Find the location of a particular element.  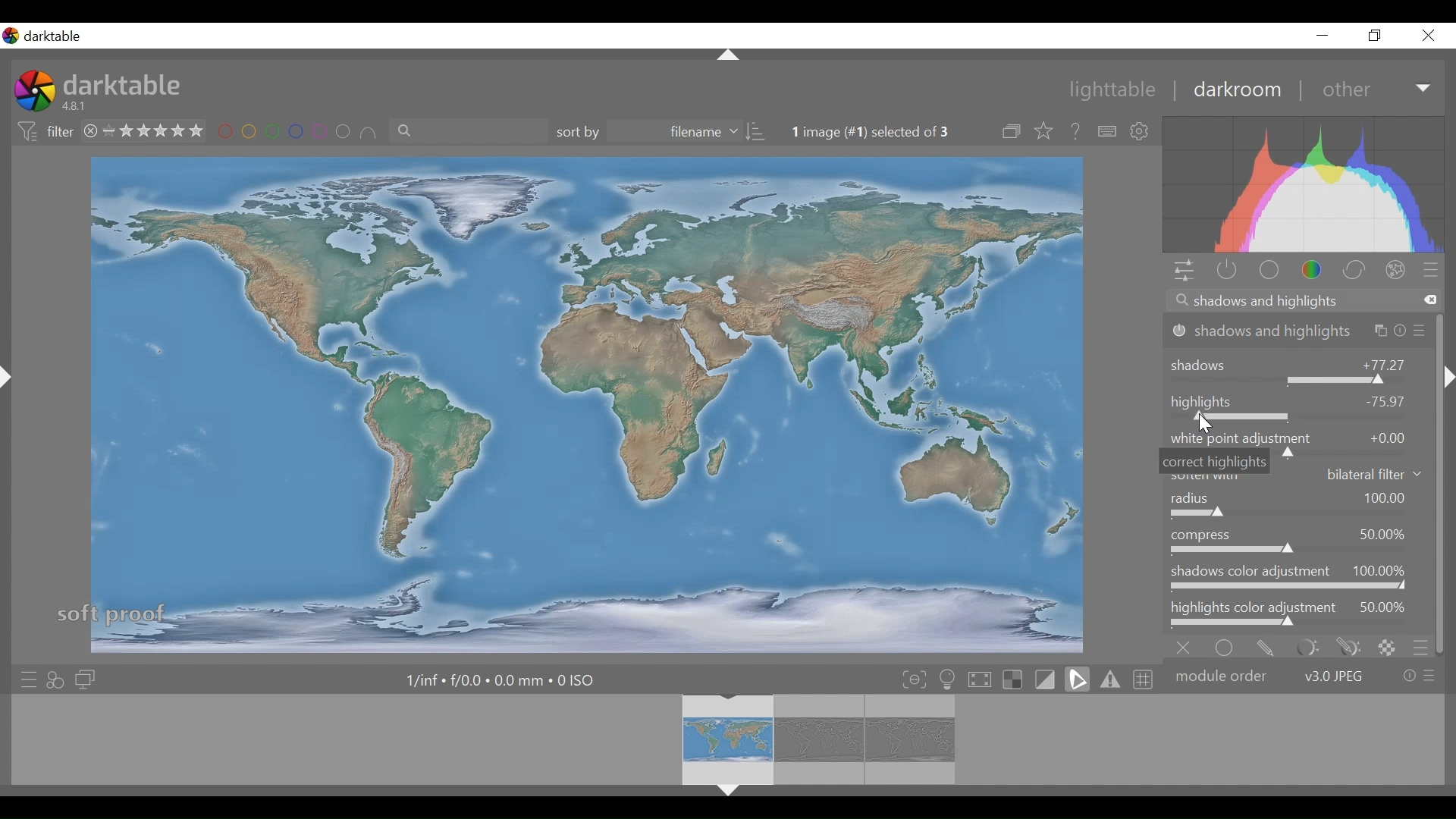

correct is located at coordinates (1355, 270).